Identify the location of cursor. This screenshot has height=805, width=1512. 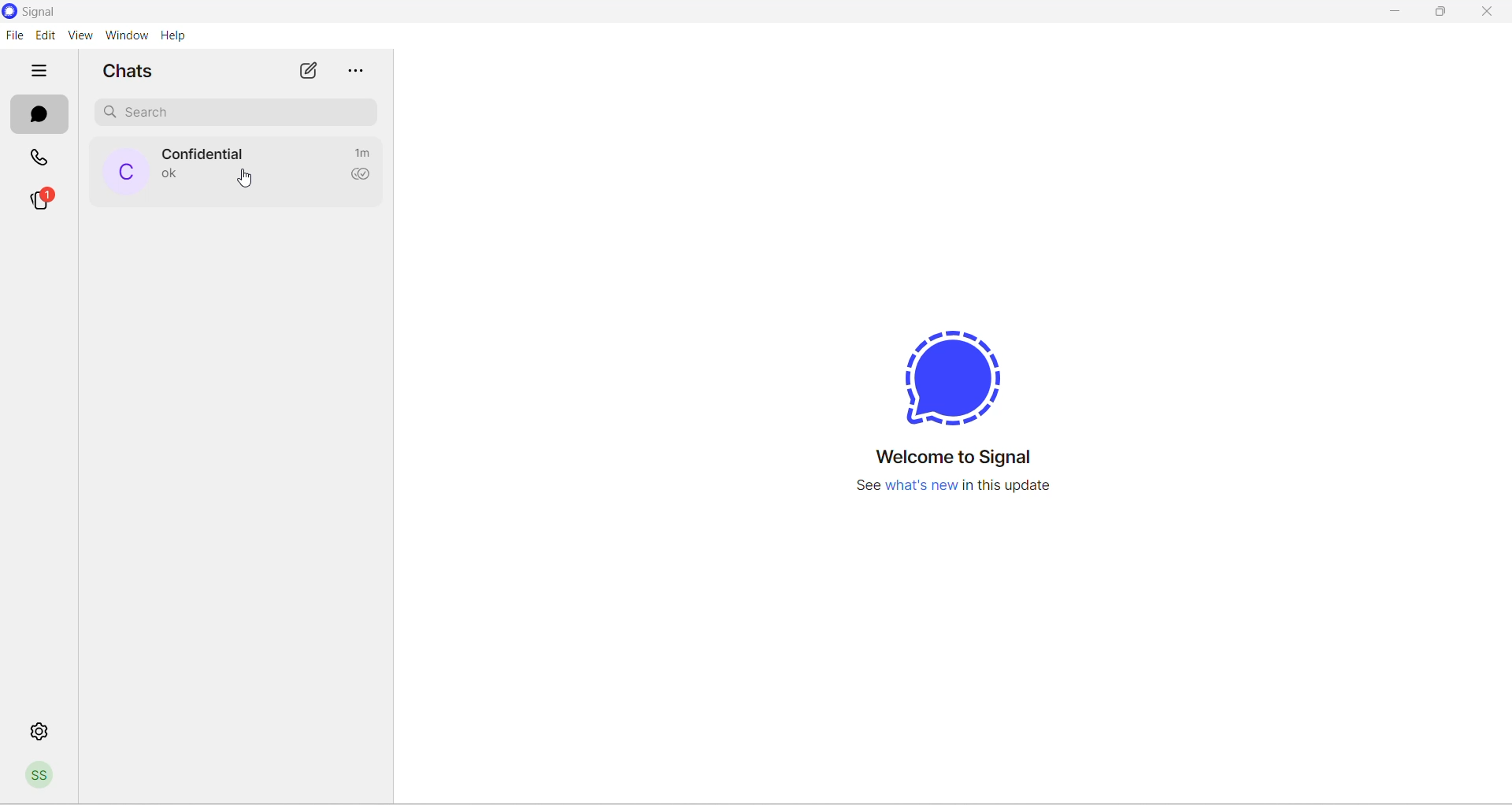
(251, 183).